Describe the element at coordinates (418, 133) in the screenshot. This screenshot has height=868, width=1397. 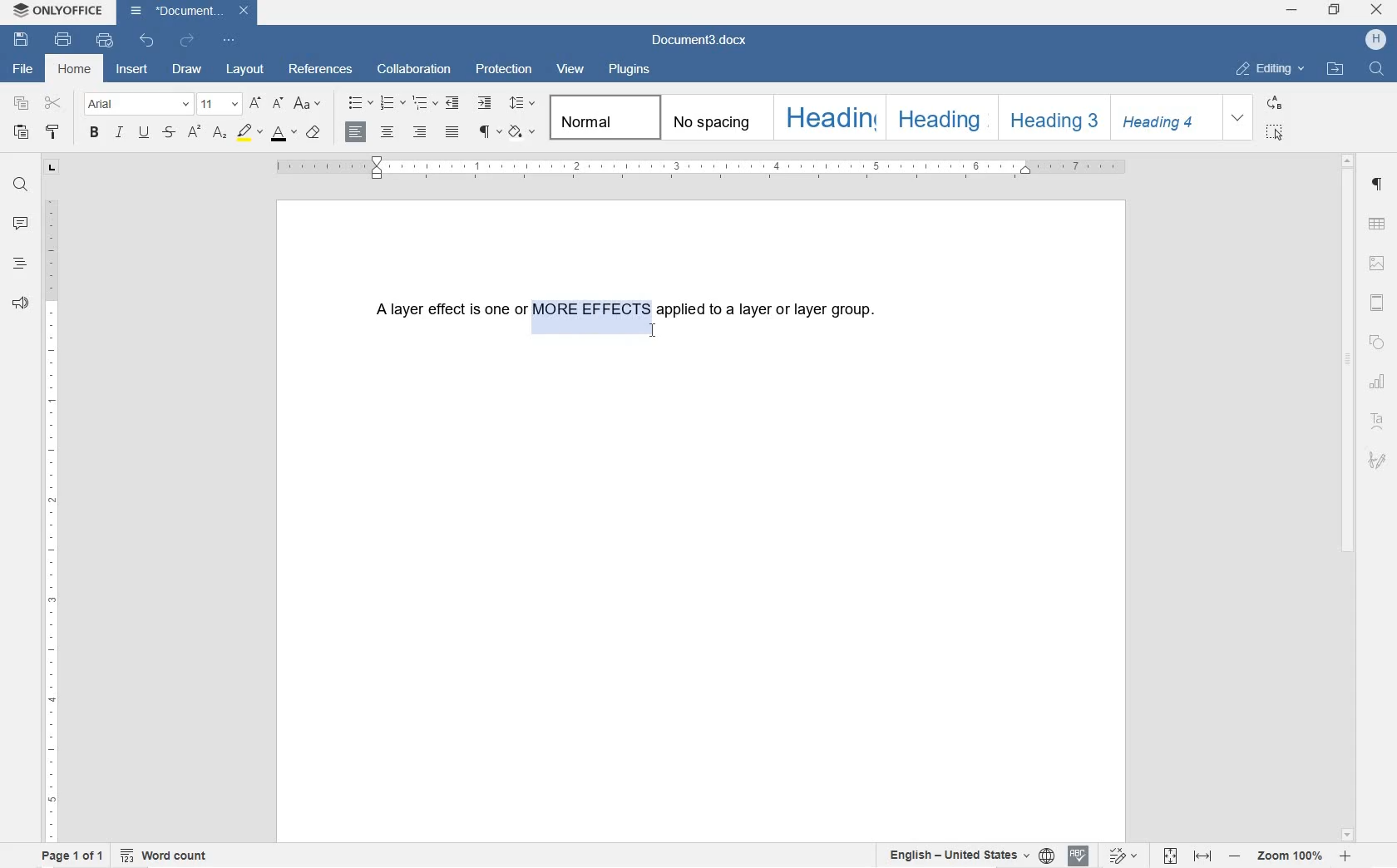
I see `ALIGN RIGHT` at that location.